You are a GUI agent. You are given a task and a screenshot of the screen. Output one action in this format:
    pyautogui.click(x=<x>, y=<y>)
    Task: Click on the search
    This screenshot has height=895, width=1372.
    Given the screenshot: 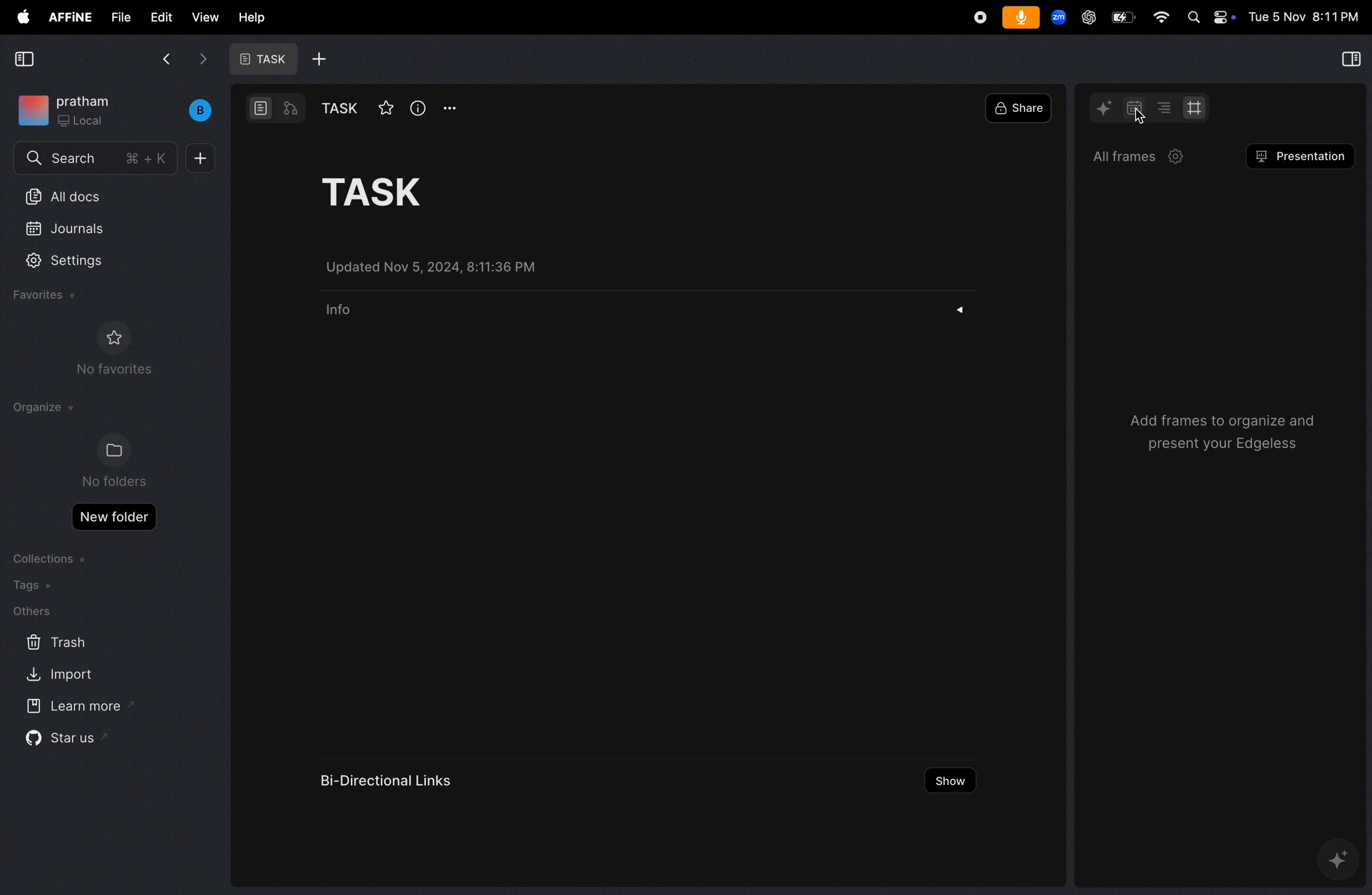 What is the action you would take?
    pyautogui.click(x=95, y=160)
    